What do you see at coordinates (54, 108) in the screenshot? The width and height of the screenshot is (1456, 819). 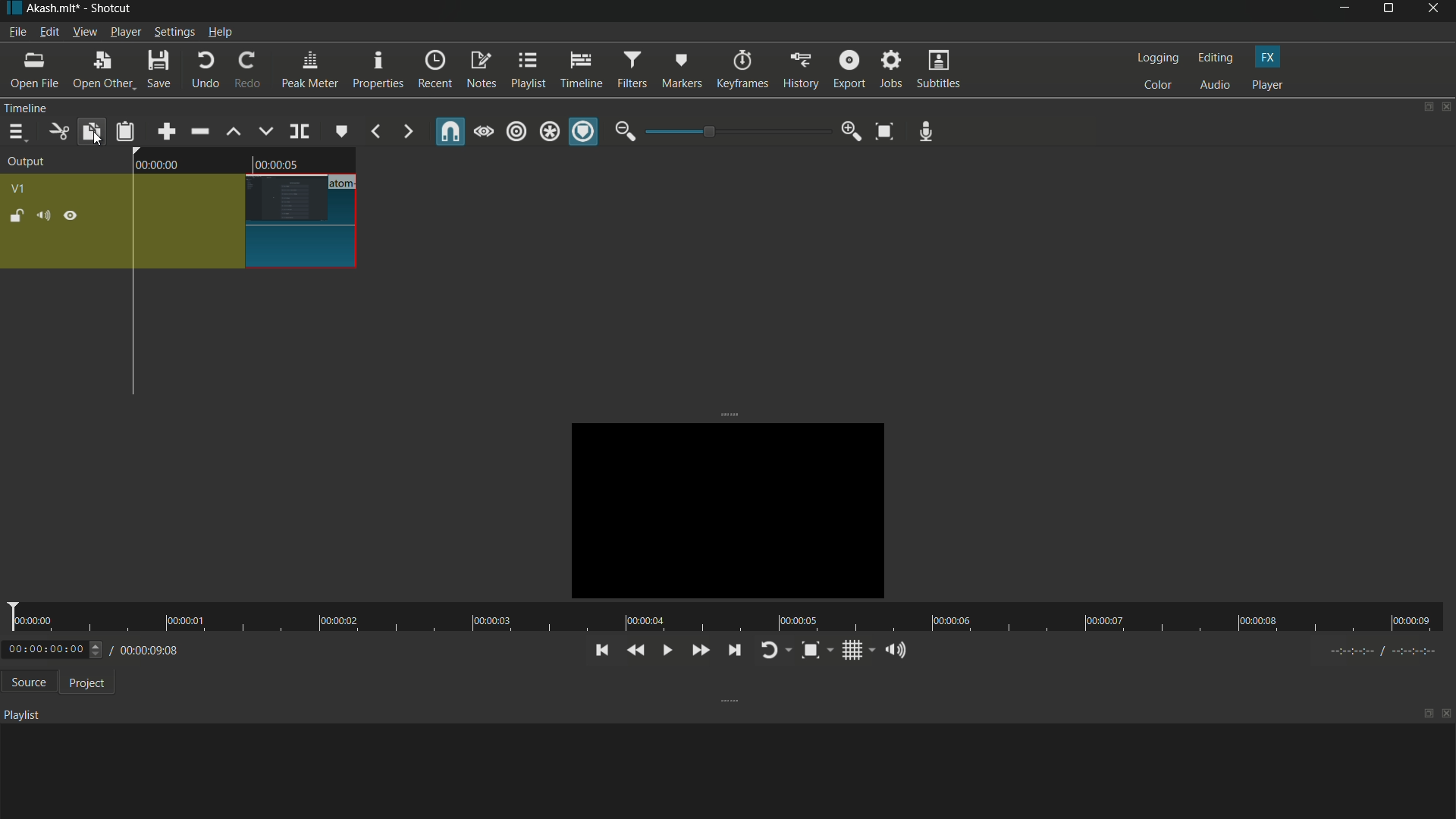 I see `Timeline` at bounding box center [54, 108].